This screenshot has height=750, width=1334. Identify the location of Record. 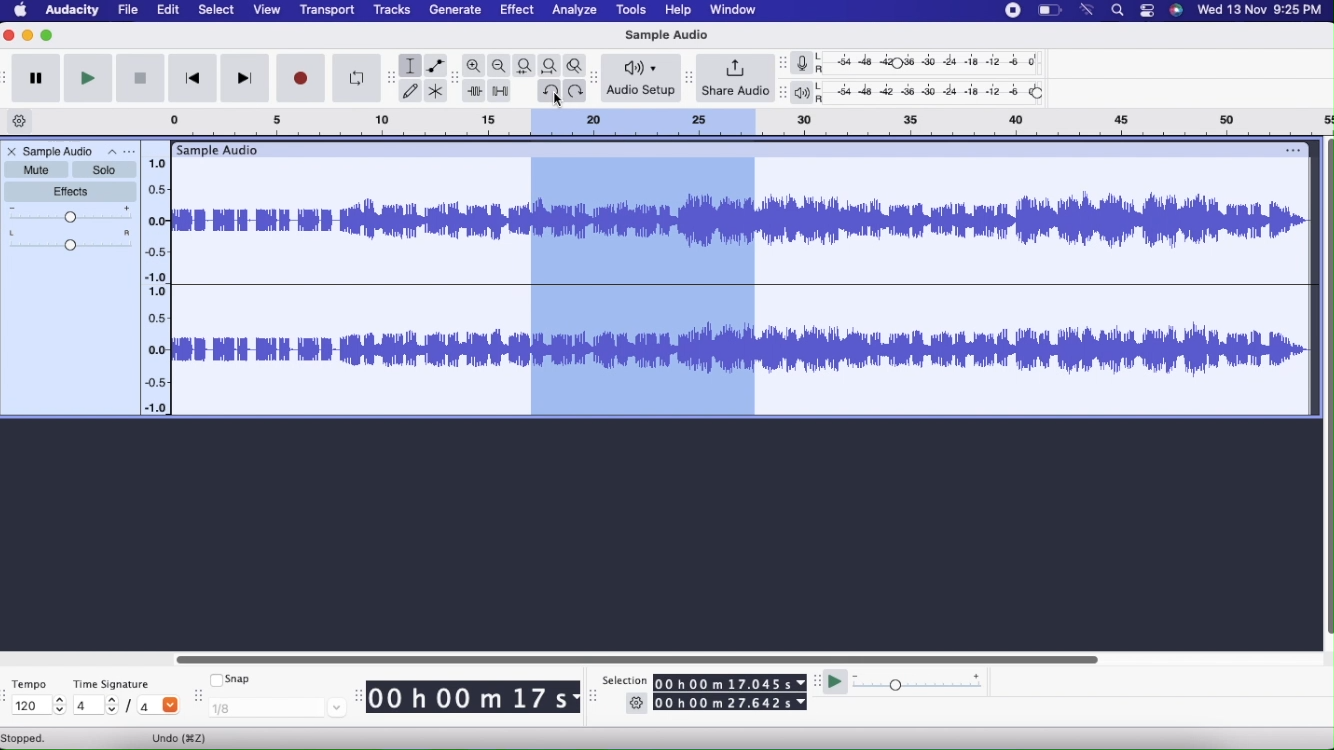
(302, 78).